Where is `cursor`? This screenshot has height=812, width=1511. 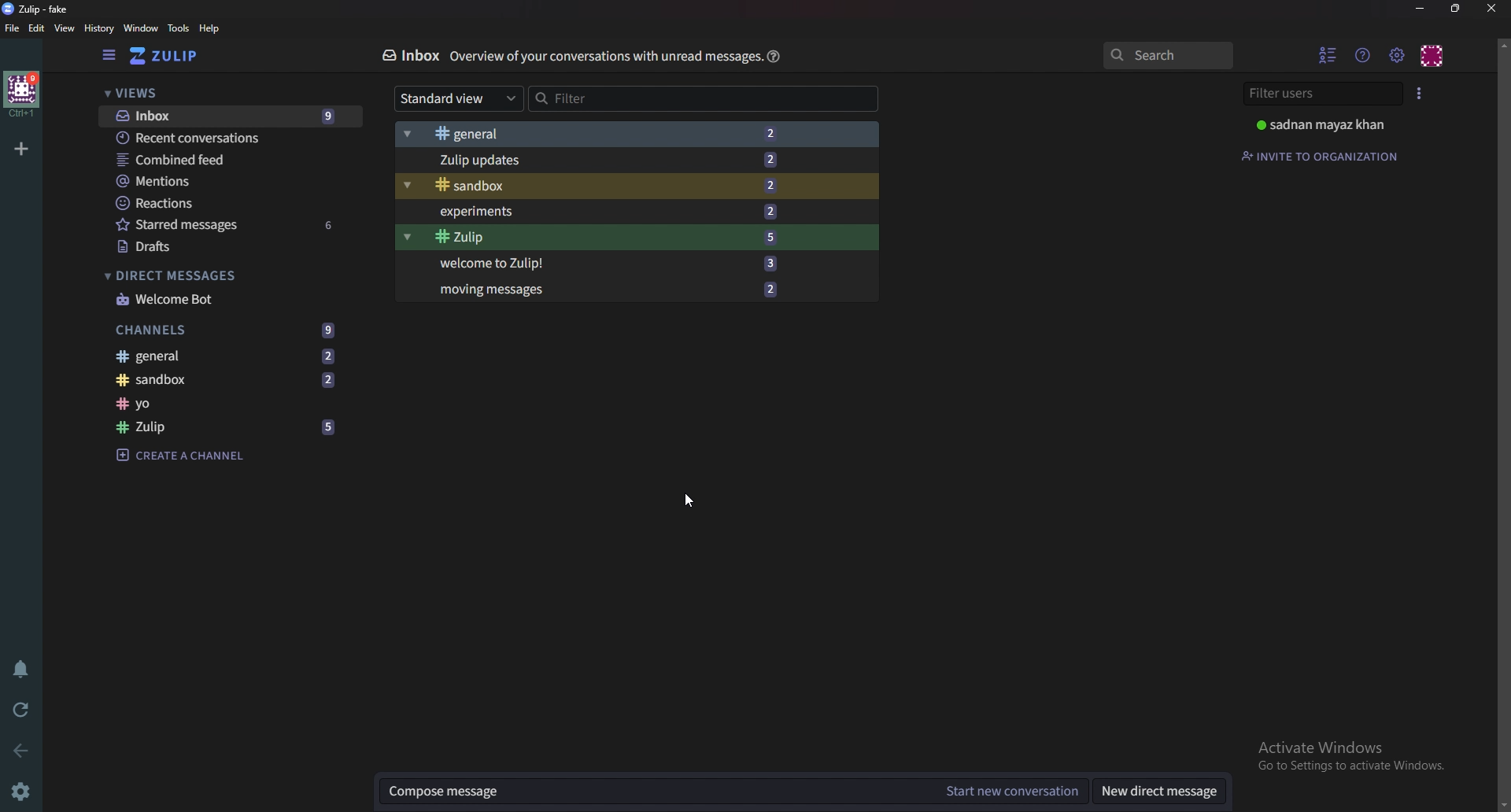 cursor is located at coordinates (690, 502).